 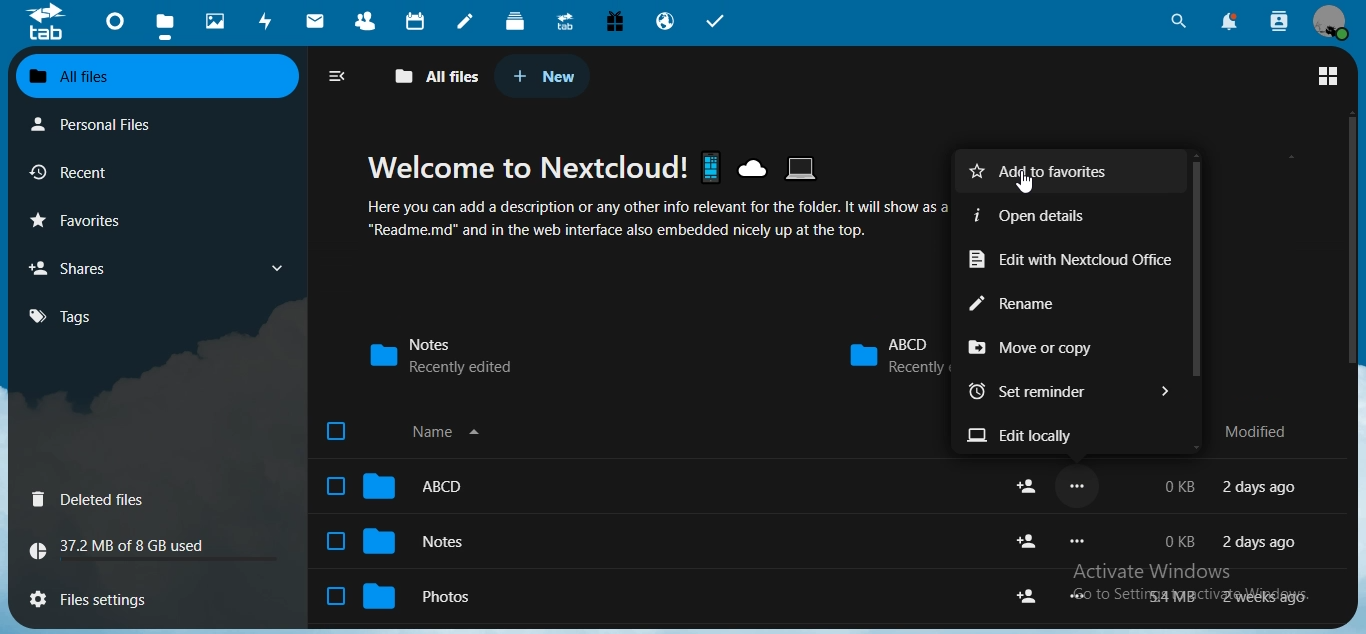 I want to click on activity, so click(x=267, y=20).